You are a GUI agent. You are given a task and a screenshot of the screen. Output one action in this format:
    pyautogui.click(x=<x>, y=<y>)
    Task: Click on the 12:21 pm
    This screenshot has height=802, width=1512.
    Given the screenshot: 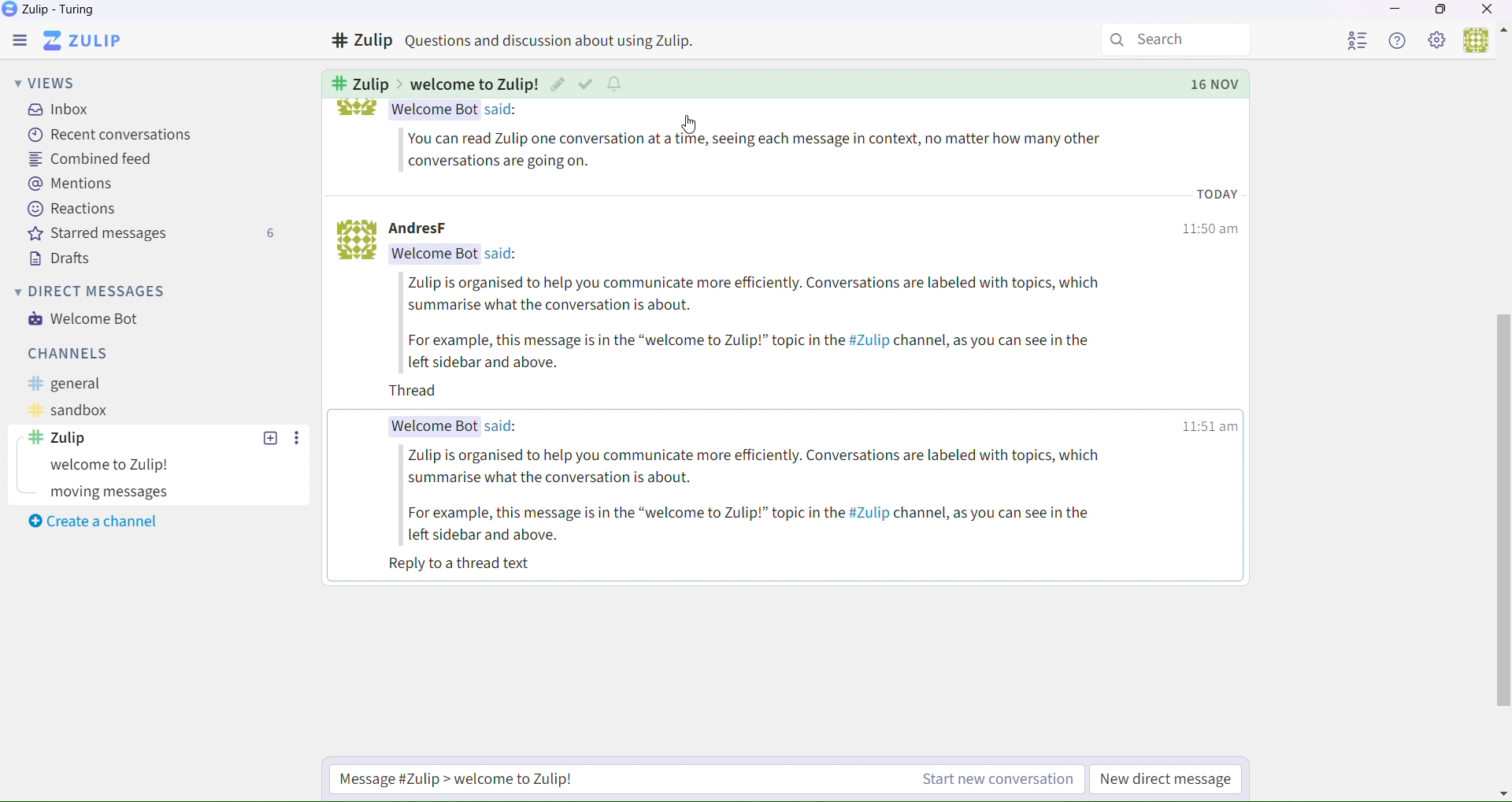 What is the action you would take?
    pyautogui.click(x=1203, y=425)
    